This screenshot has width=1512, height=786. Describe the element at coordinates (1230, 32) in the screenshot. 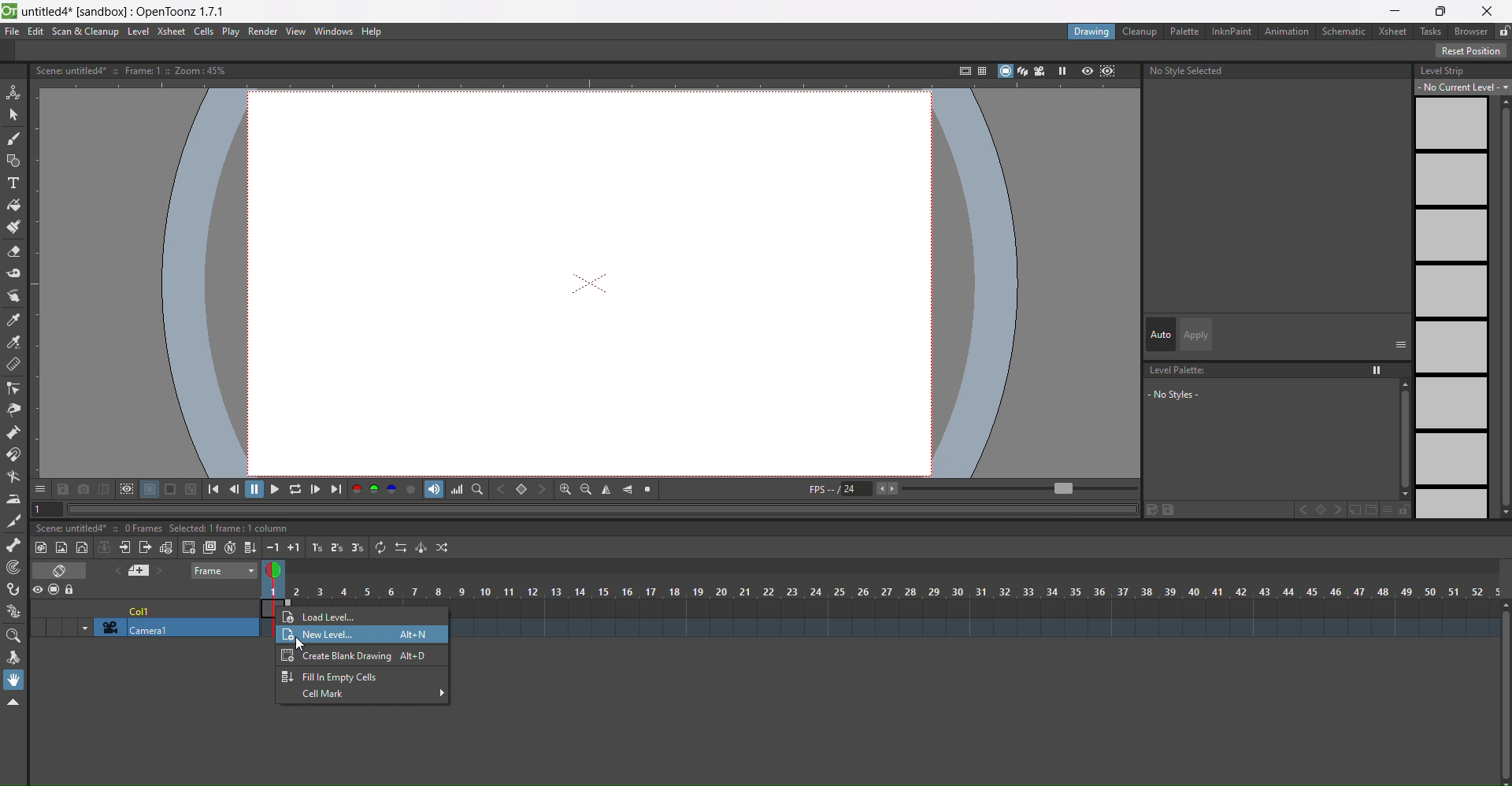

I see `inknpaint` at that location.